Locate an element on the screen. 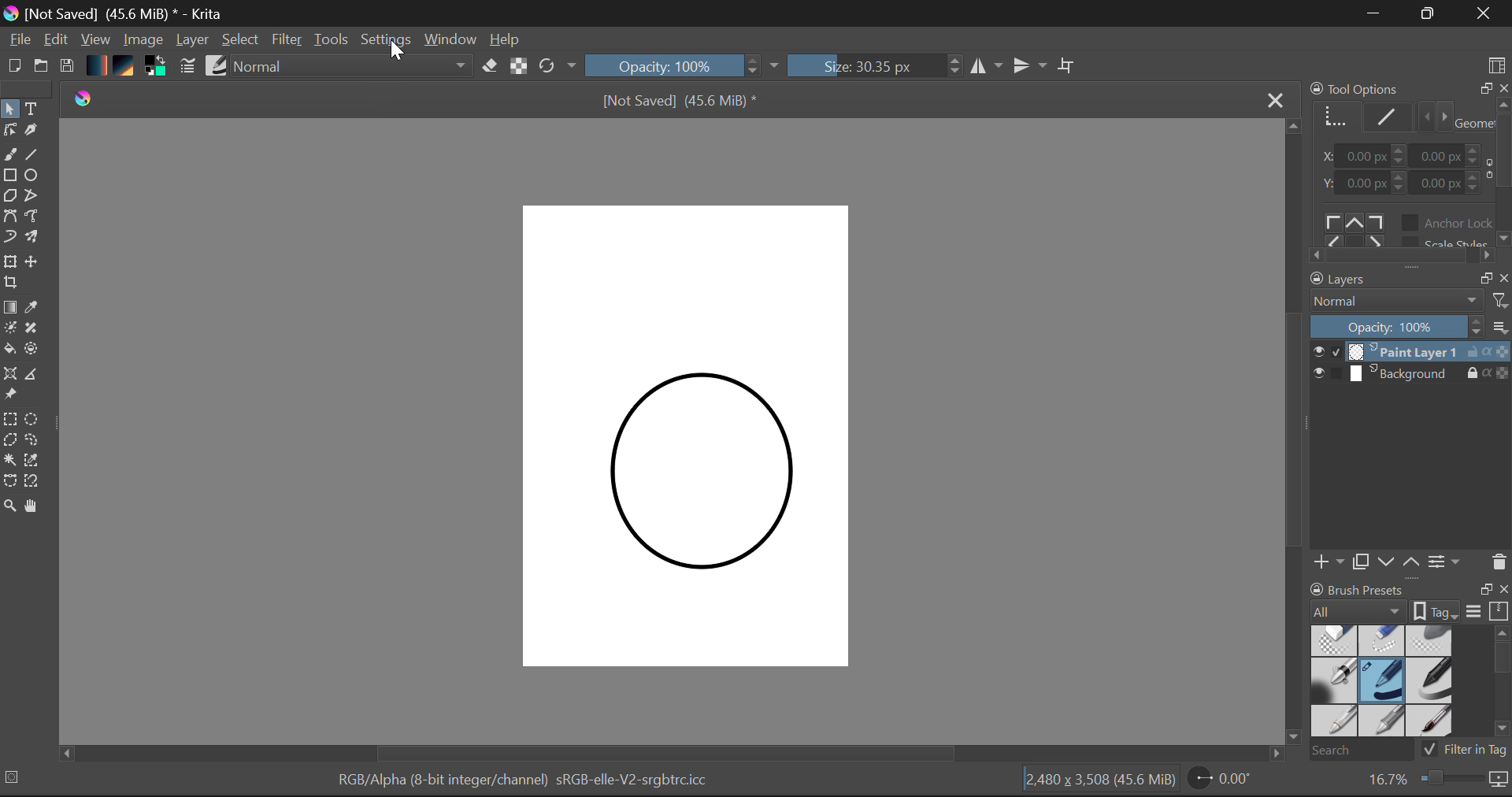 The height and width of the screenshot is (797, 1512). Color Information is located at coordinates (531, 783).